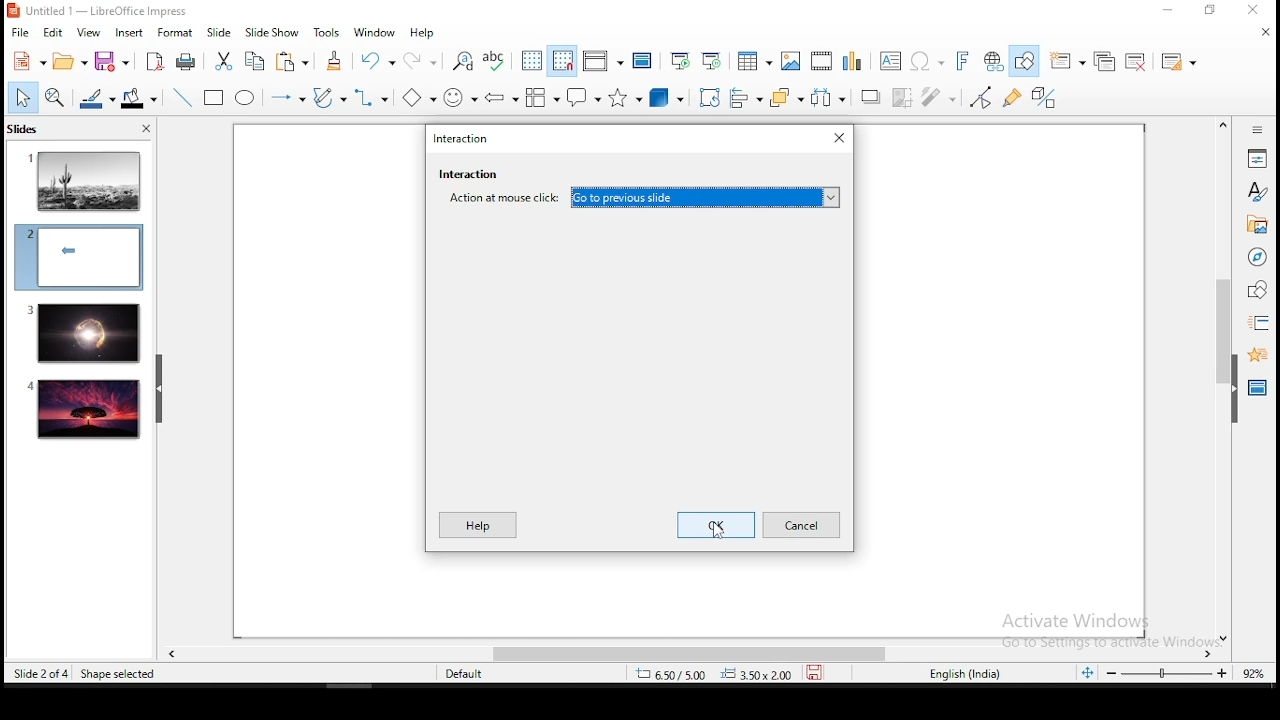  What do you see at coordinates (463, 136) in the screenshot?
I see `window name` at bounding box center [463, 136].